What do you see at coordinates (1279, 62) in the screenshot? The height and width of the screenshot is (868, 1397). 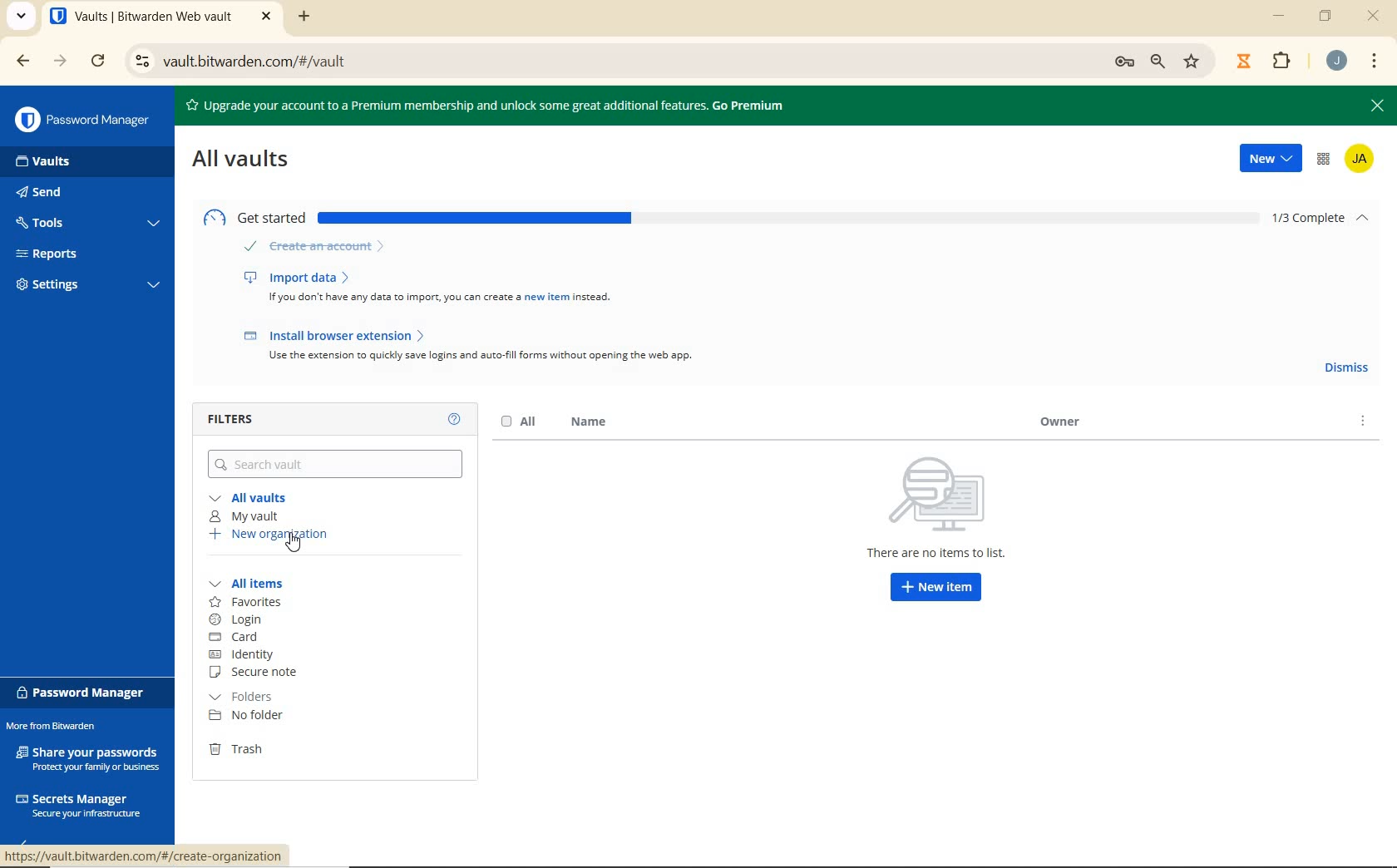 I see `extensions` at bounding box center [1279, 62].